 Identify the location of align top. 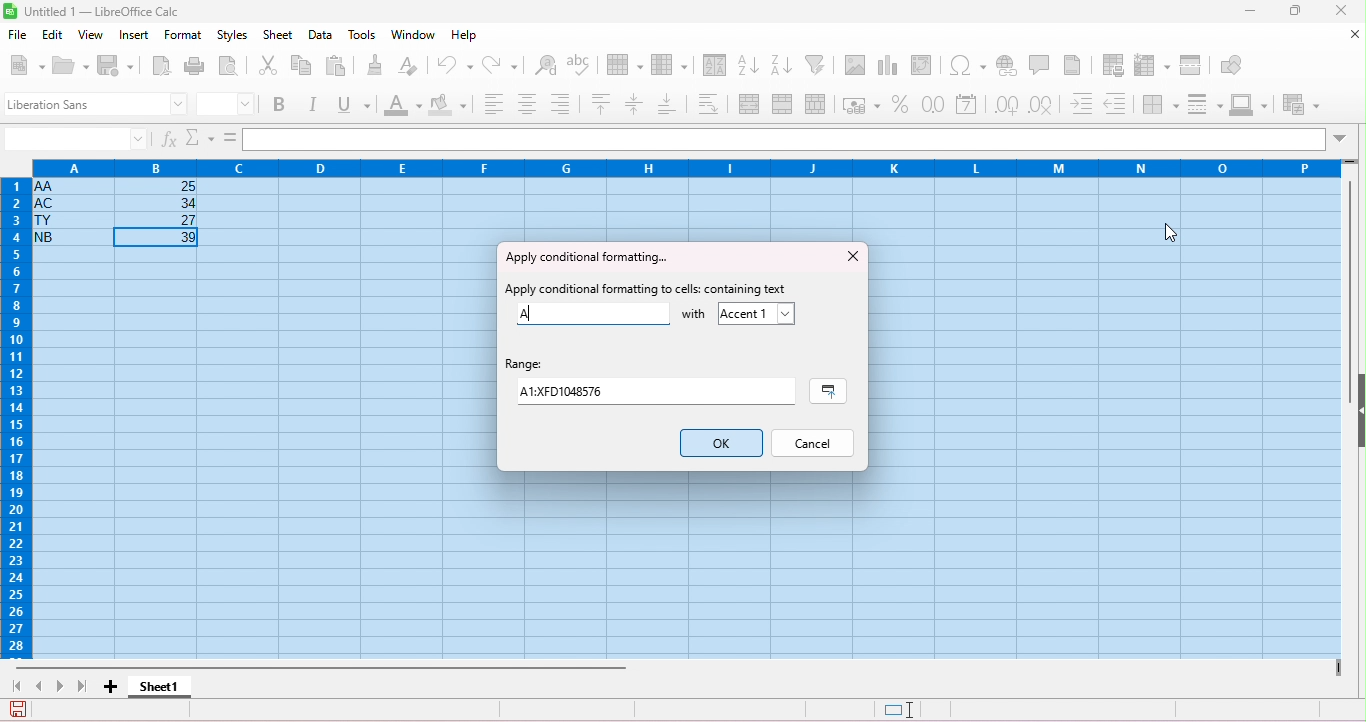
(601, 103).